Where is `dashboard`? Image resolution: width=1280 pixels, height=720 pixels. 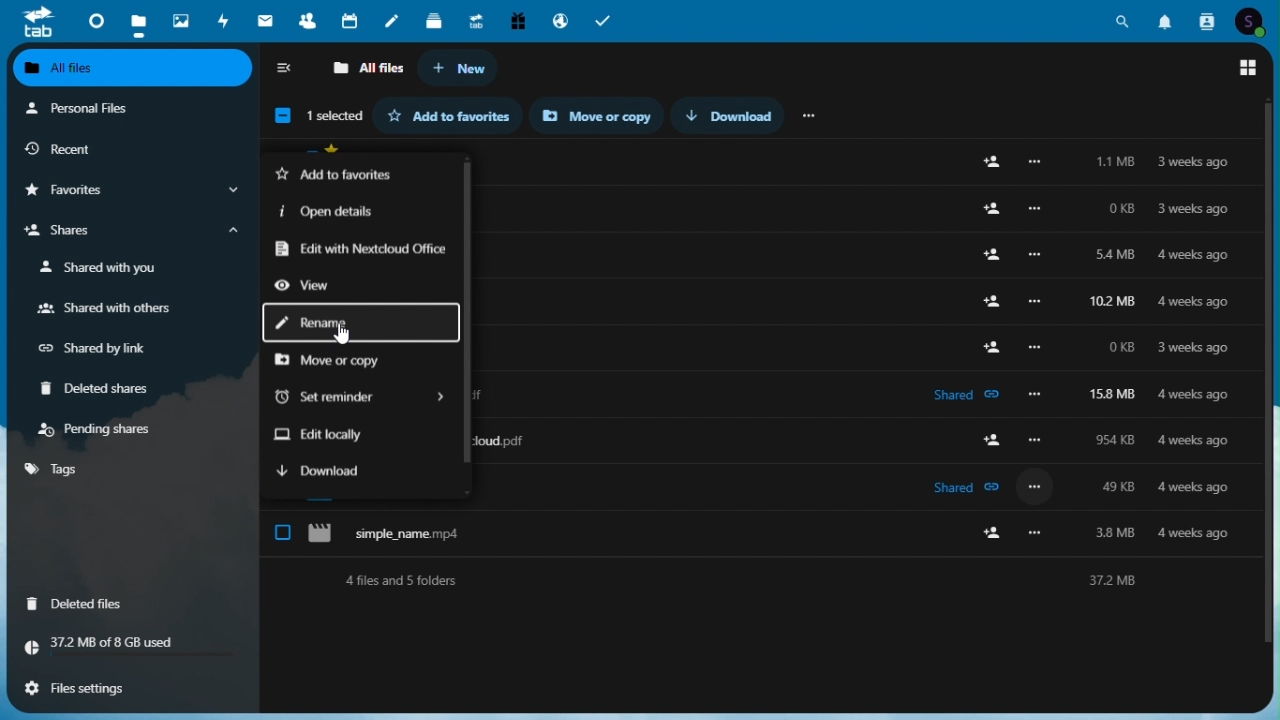 dashboard is located at coordinates (91, 19).